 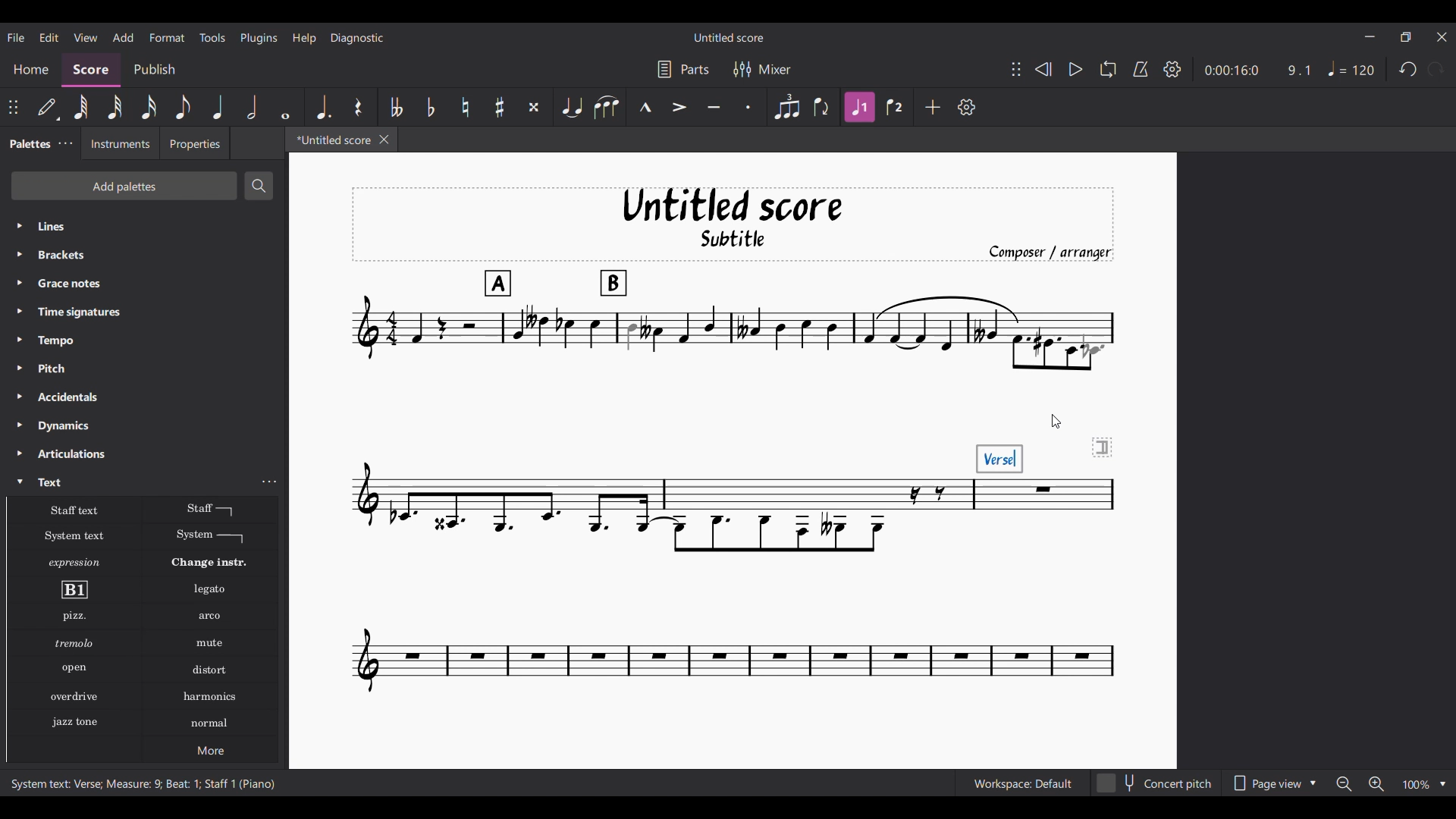 I want to click on Help menu, so click(x=304, y=38).